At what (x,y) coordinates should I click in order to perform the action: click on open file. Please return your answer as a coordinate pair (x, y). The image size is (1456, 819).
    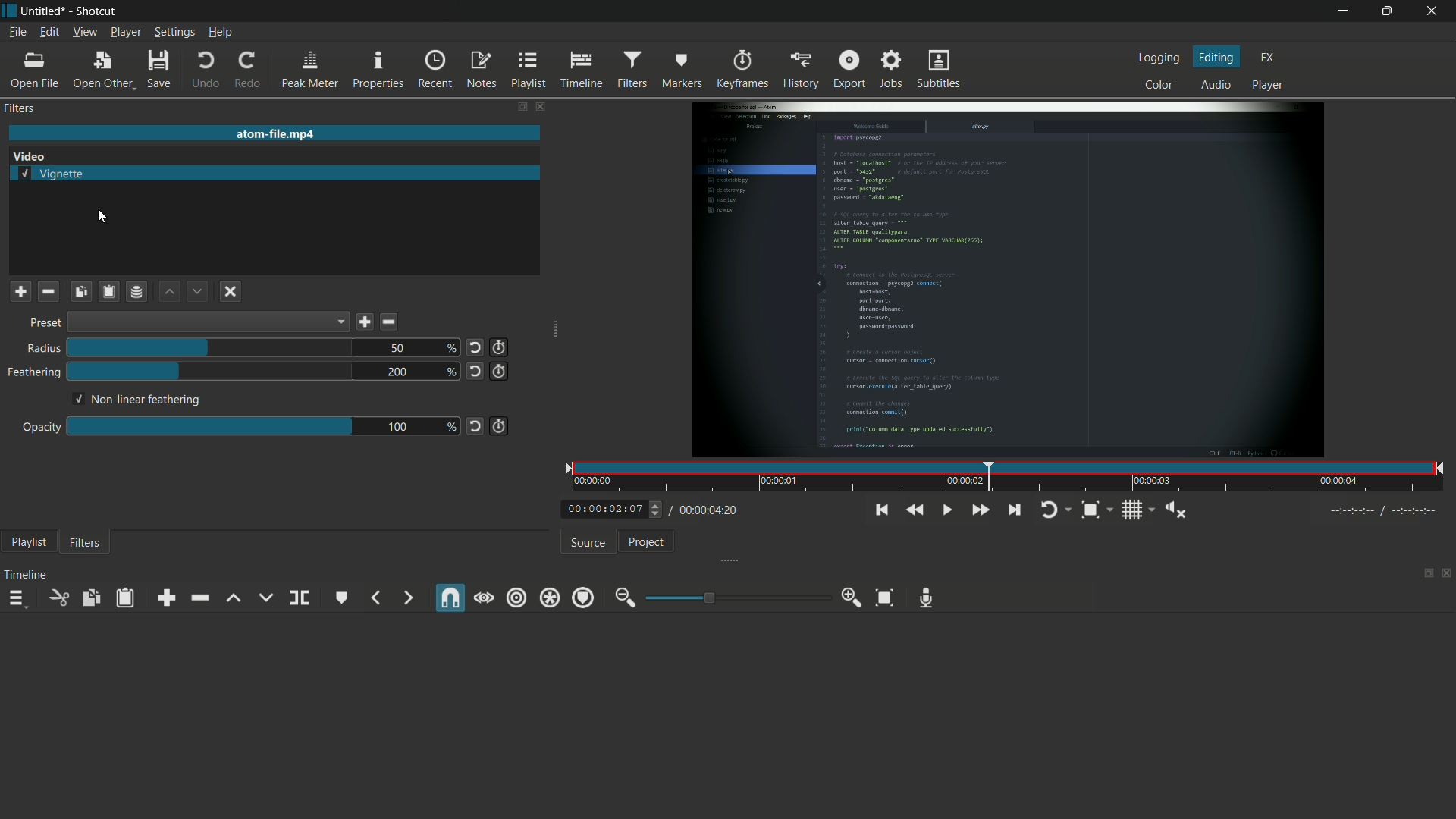
    Looking at the image, I should click on (33, 71).